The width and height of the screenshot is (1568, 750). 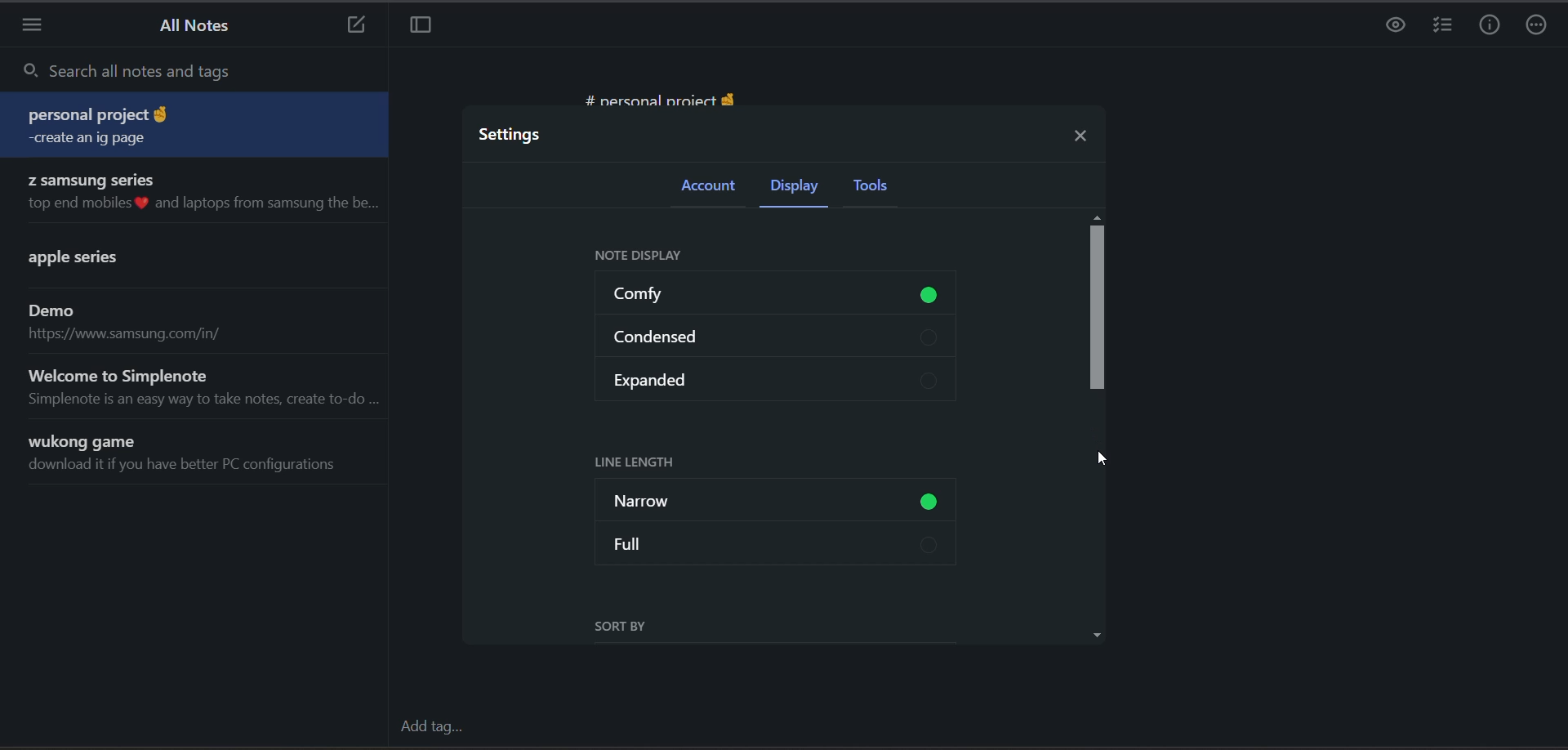 I want to click on cursor, so click(x=1102, y=458).